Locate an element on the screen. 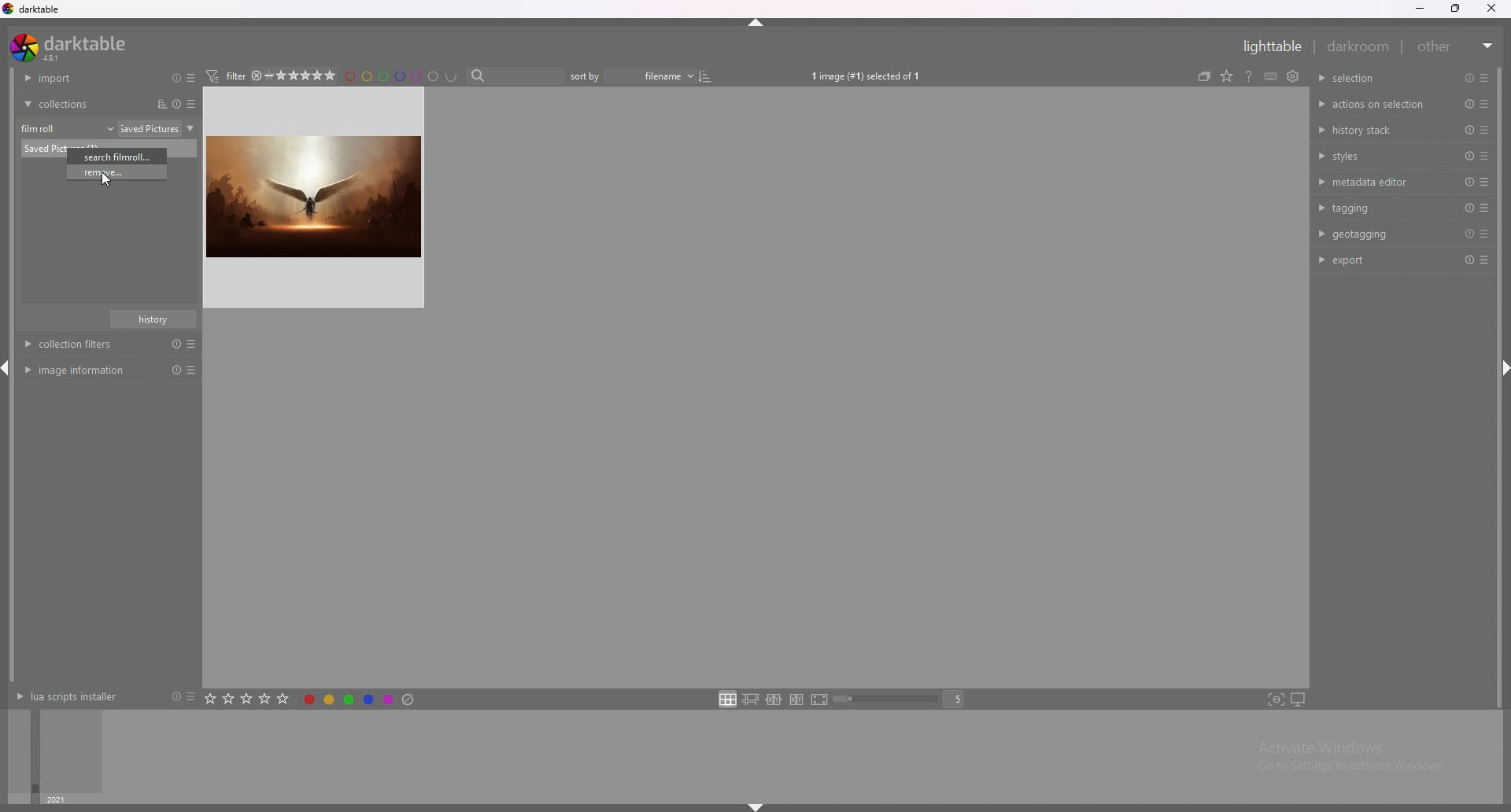 The height and width of the screenshot is (812, 1511). reset is located at coordinates (1469, 156).